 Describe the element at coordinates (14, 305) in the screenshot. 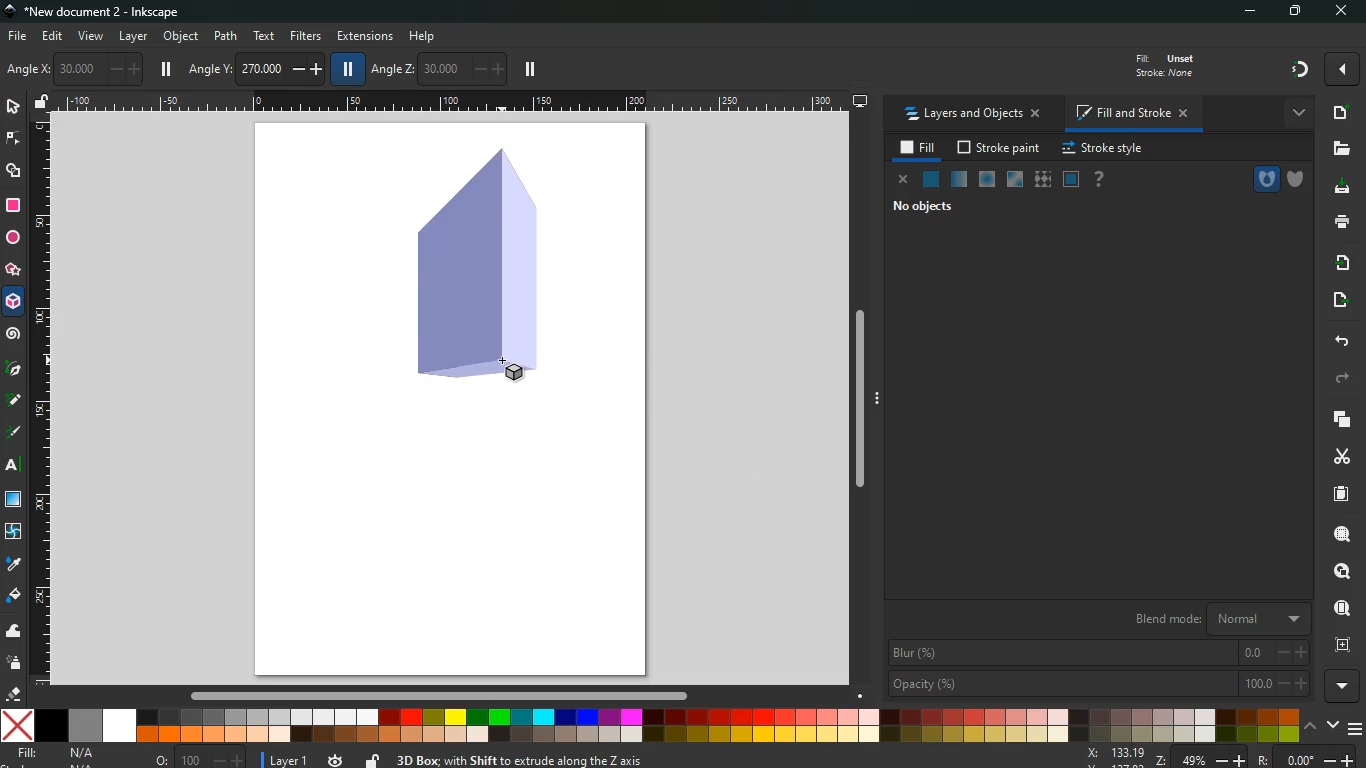

I see `3d box tool` at that location.